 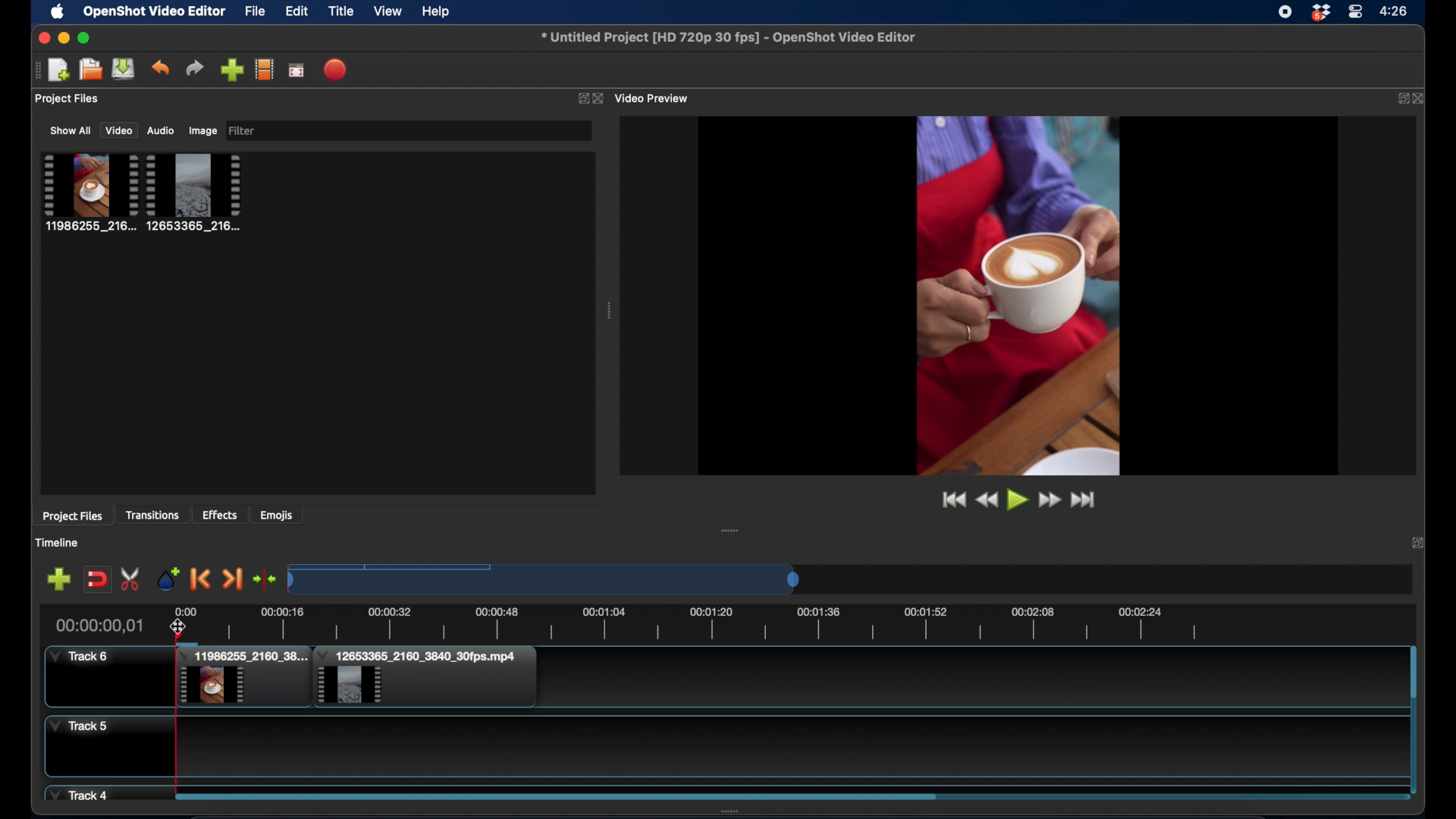 I want to click on drag handle, so click(x=36, y=69).